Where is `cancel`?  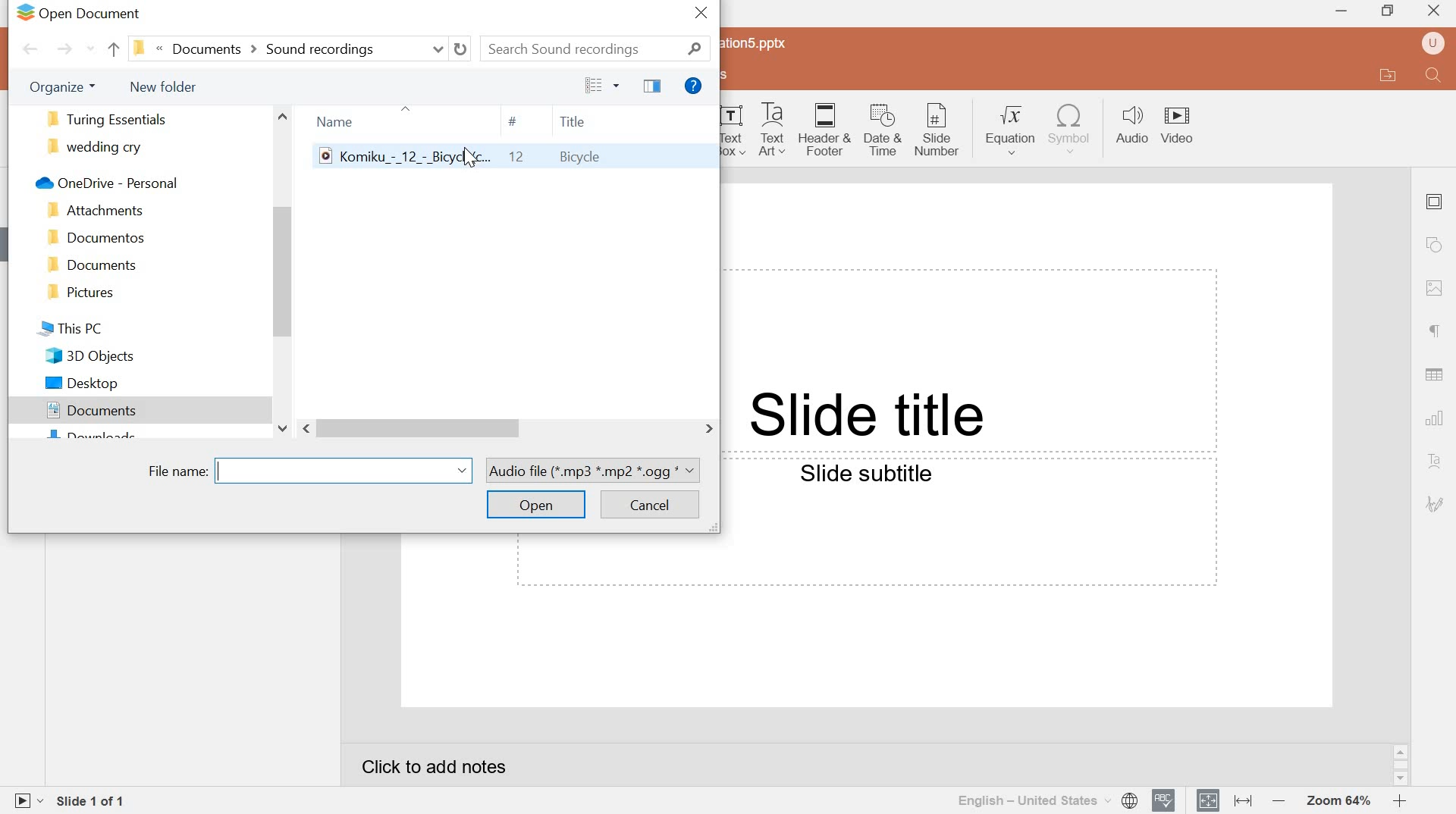 cancel is located at coordinates (650, 505).